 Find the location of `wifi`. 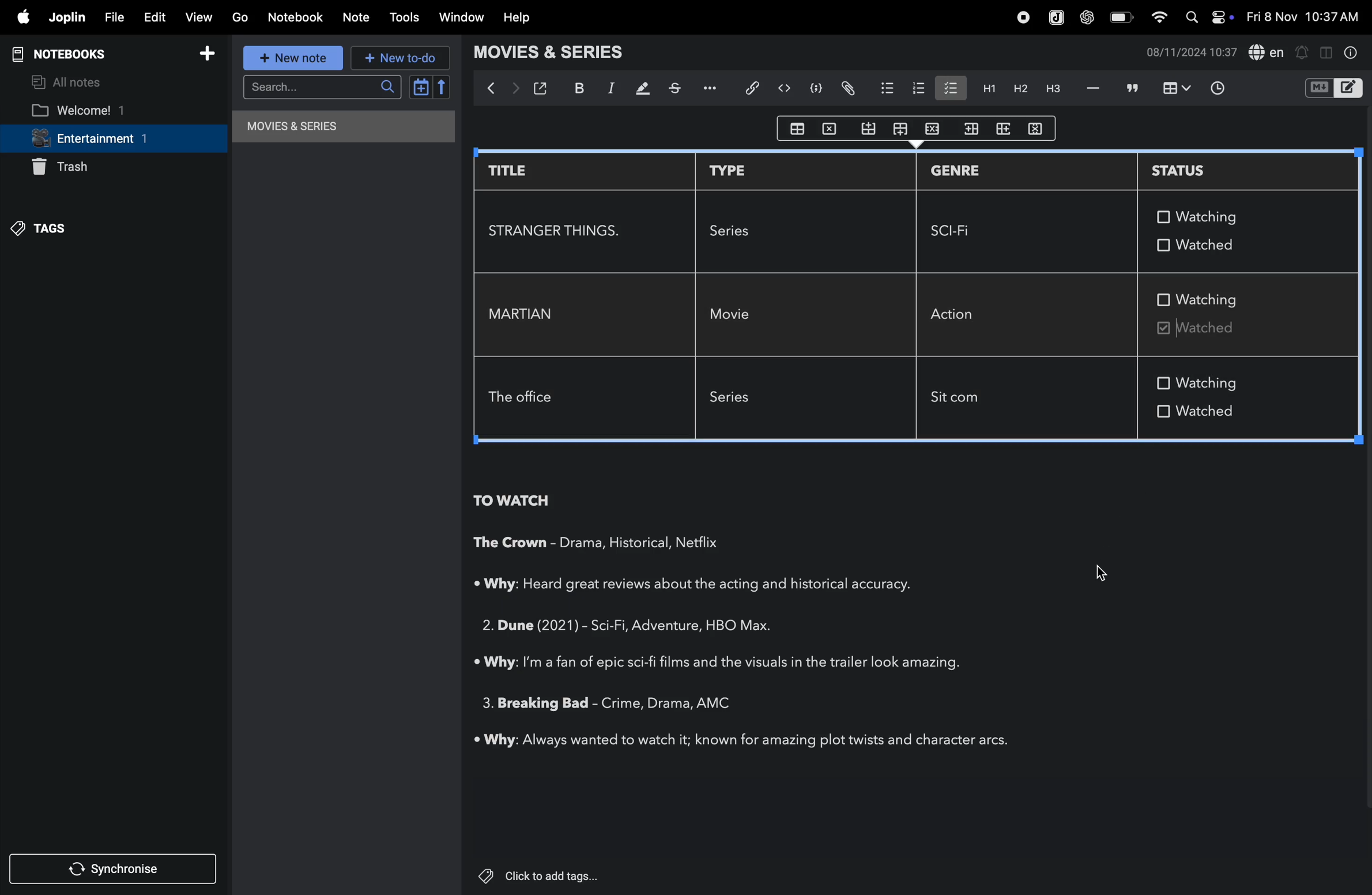

wifi is located at coordinates (1162, 20).